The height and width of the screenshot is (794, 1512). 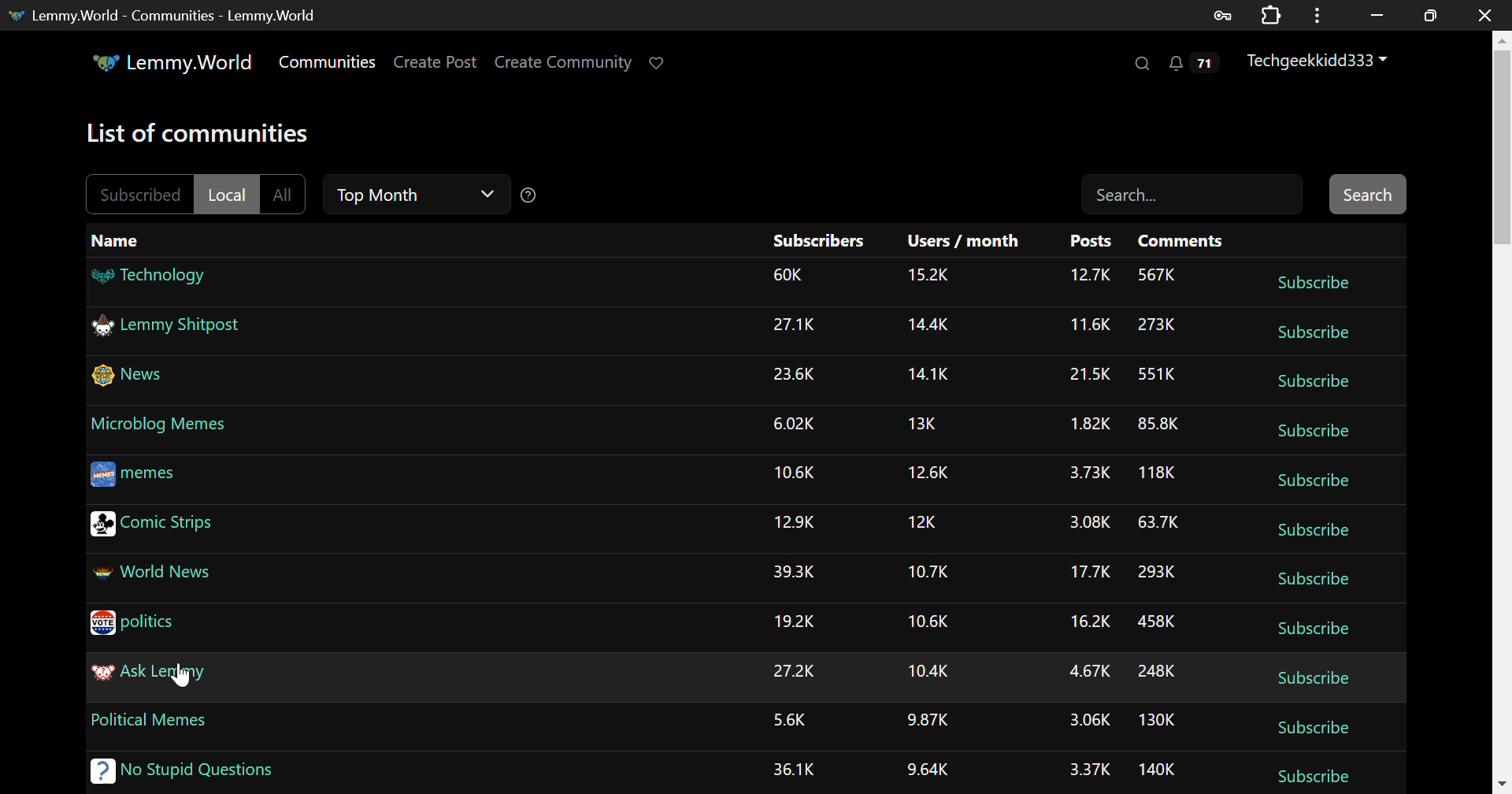 What do you see at coordinates (154, 527) in the screenshot?
I see `Comic Strips Community` at bounding box center [154, 527].